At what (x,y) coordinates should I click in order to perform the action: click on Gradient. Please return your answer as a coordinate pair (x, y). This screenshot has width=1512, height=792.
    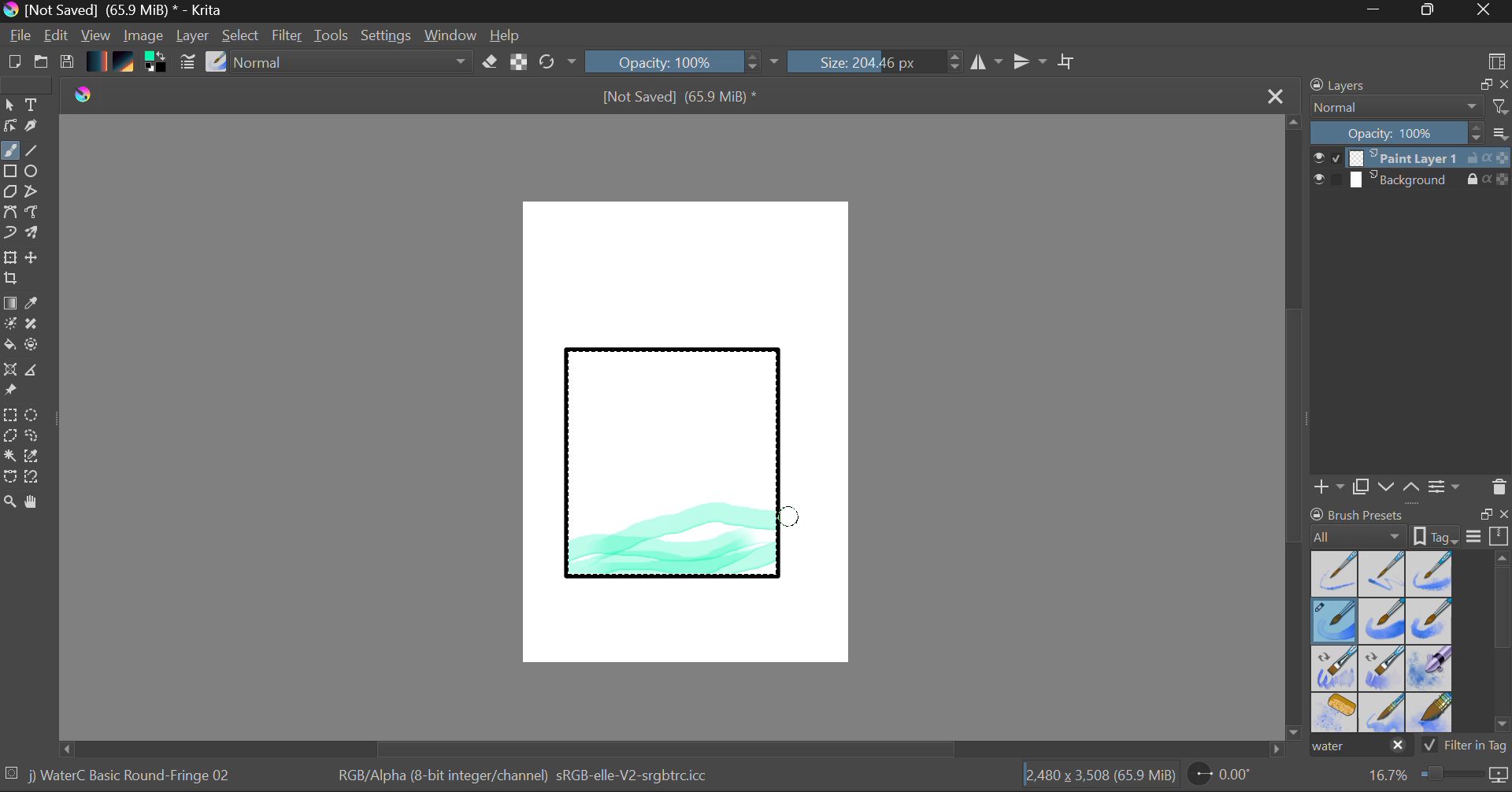
    Looking at the image, I should click on (95, 60).